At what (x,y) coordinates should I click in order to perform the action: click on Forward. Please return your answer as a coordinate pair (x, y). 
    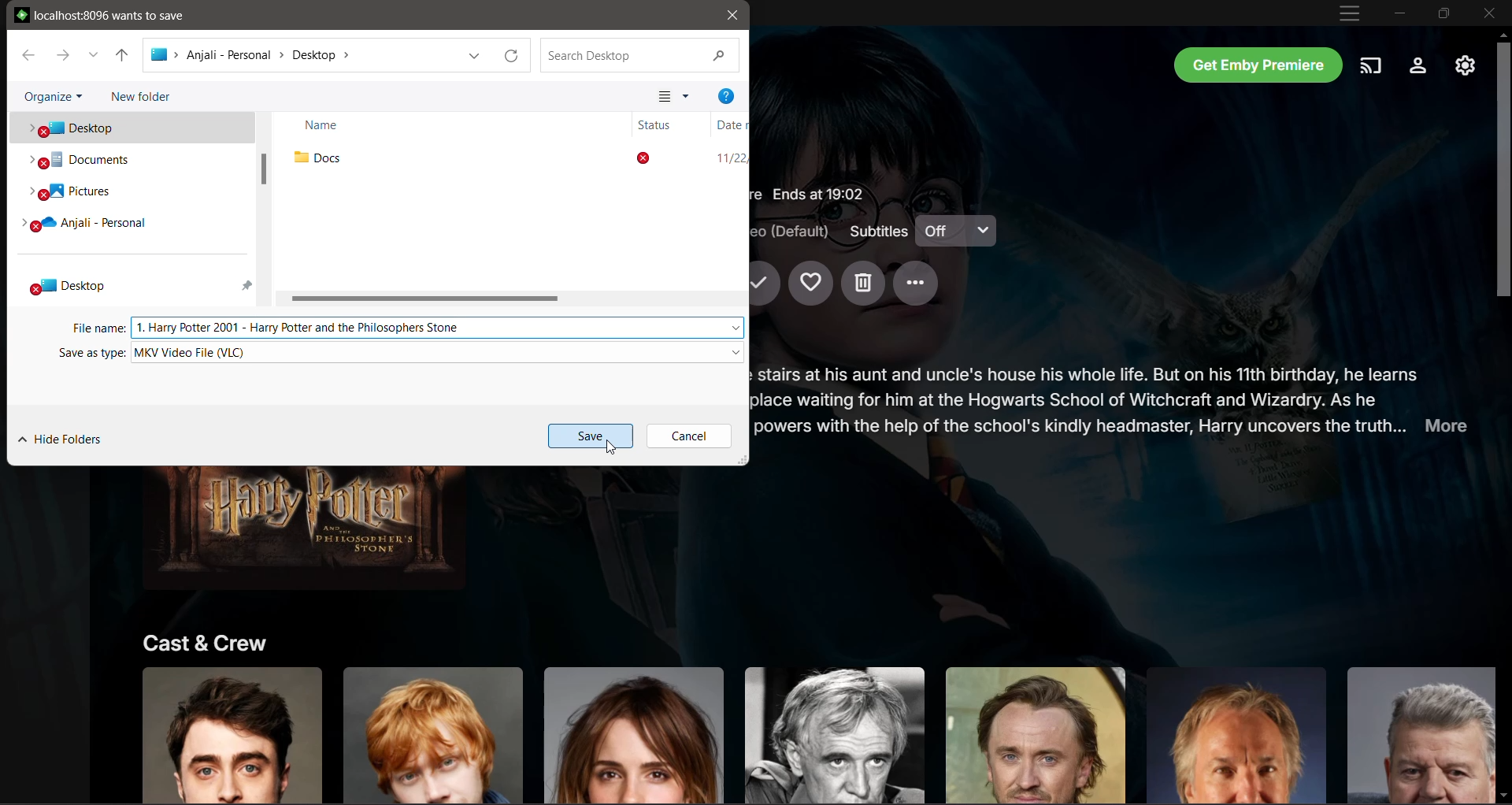
    Looking at the image, I should click on (62, 56).